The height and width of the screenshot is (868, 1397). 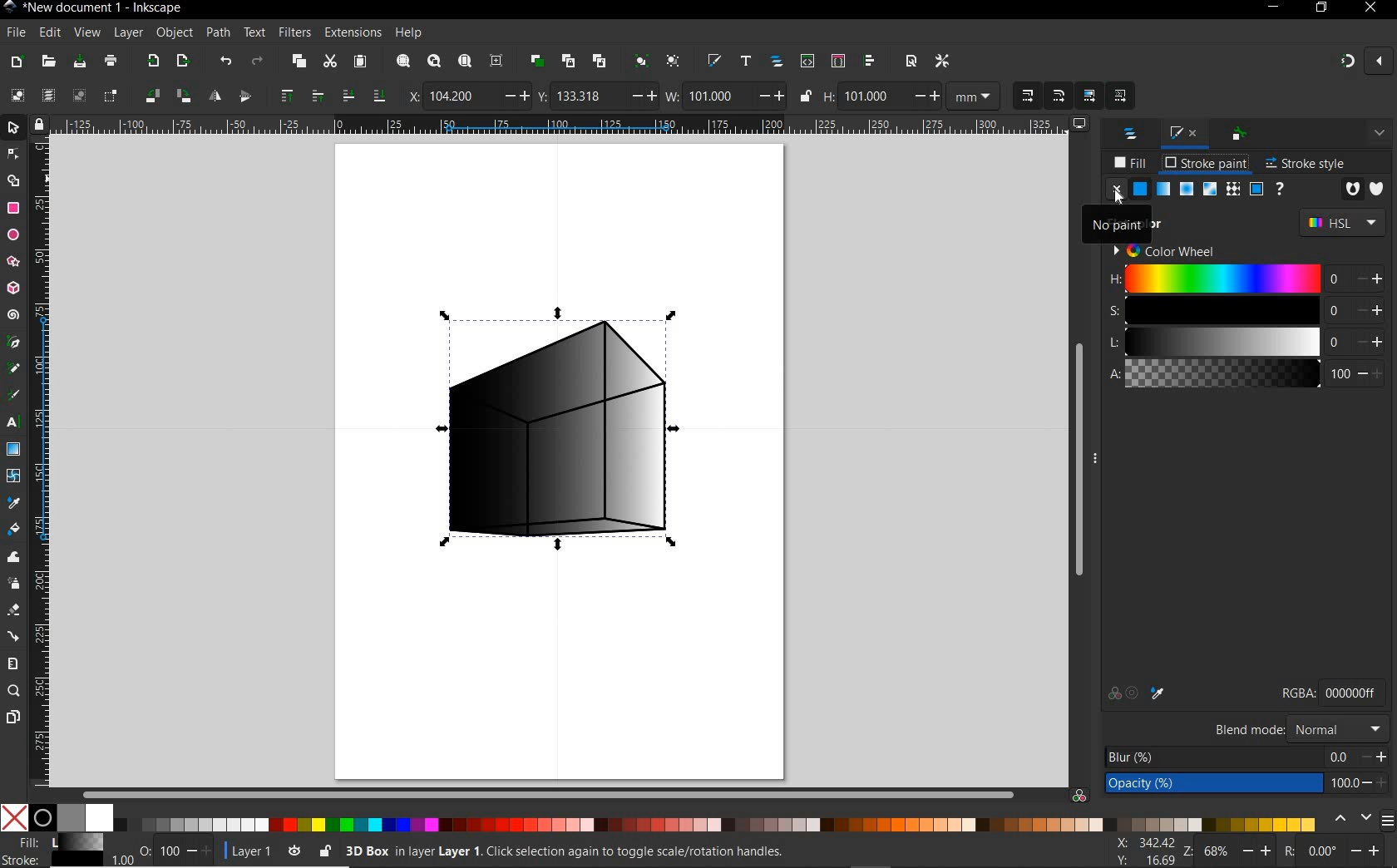 I want to click on COLOR MODE, so click(x=658, y=818).